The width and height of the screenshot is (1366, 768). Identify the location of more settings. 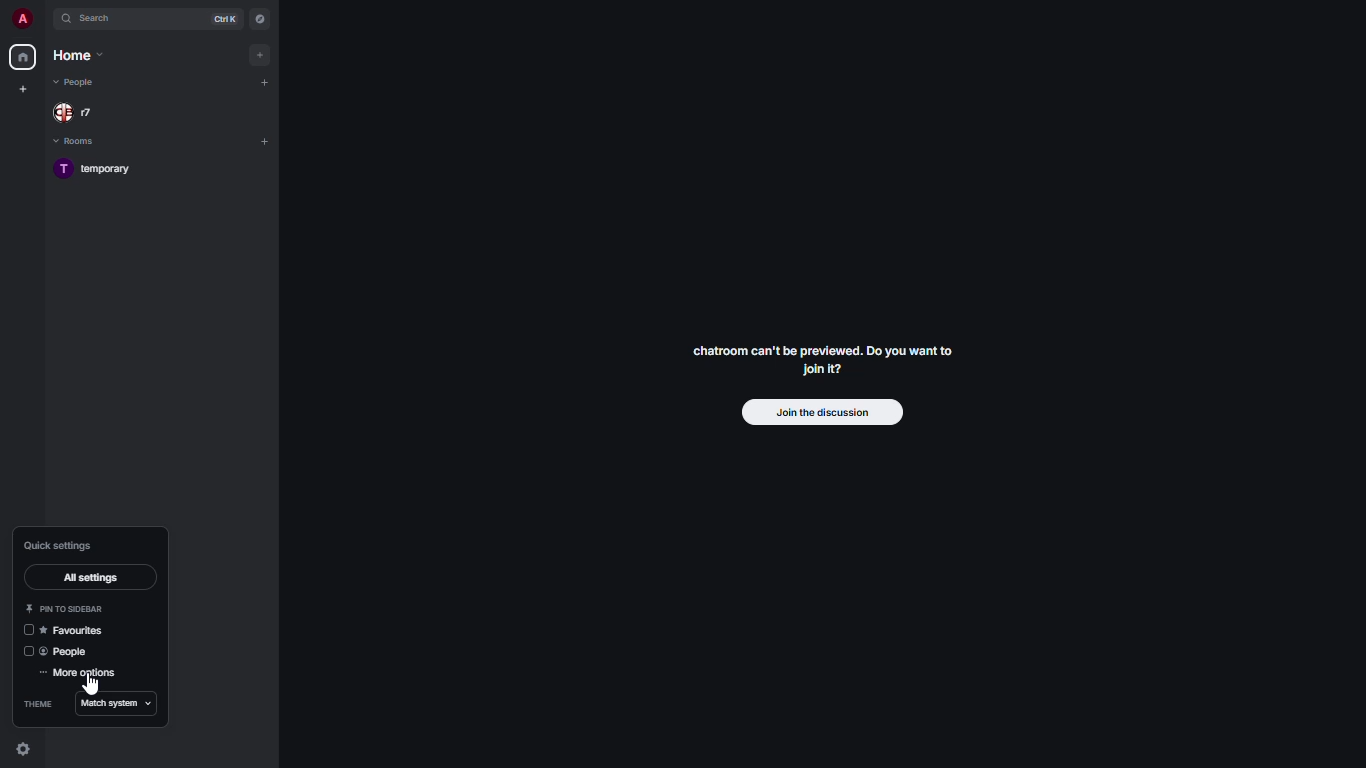
(80, 674).